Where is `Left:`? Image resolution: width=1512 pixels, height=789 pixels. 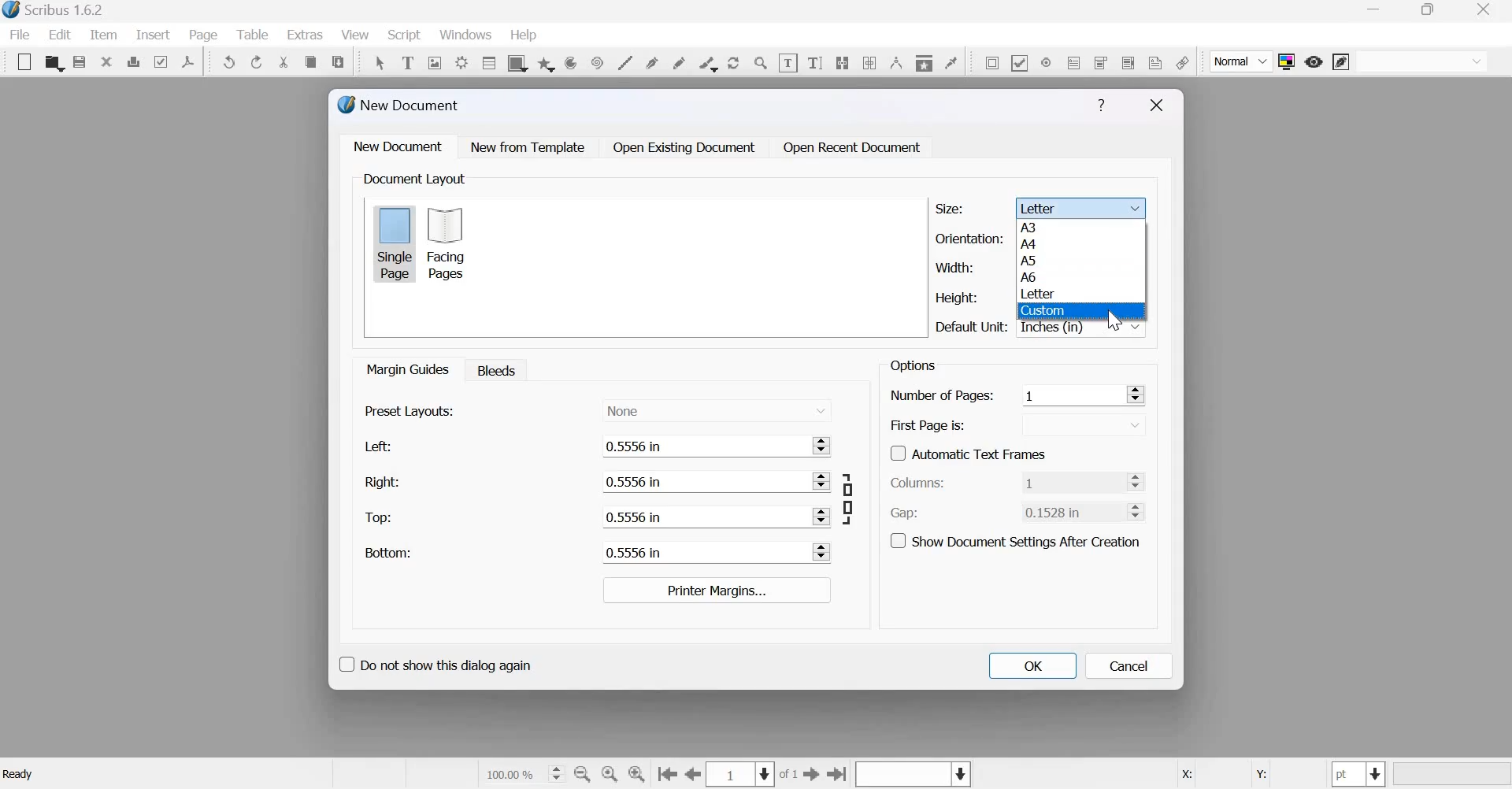 Left: is located at coordinates (376, 446).